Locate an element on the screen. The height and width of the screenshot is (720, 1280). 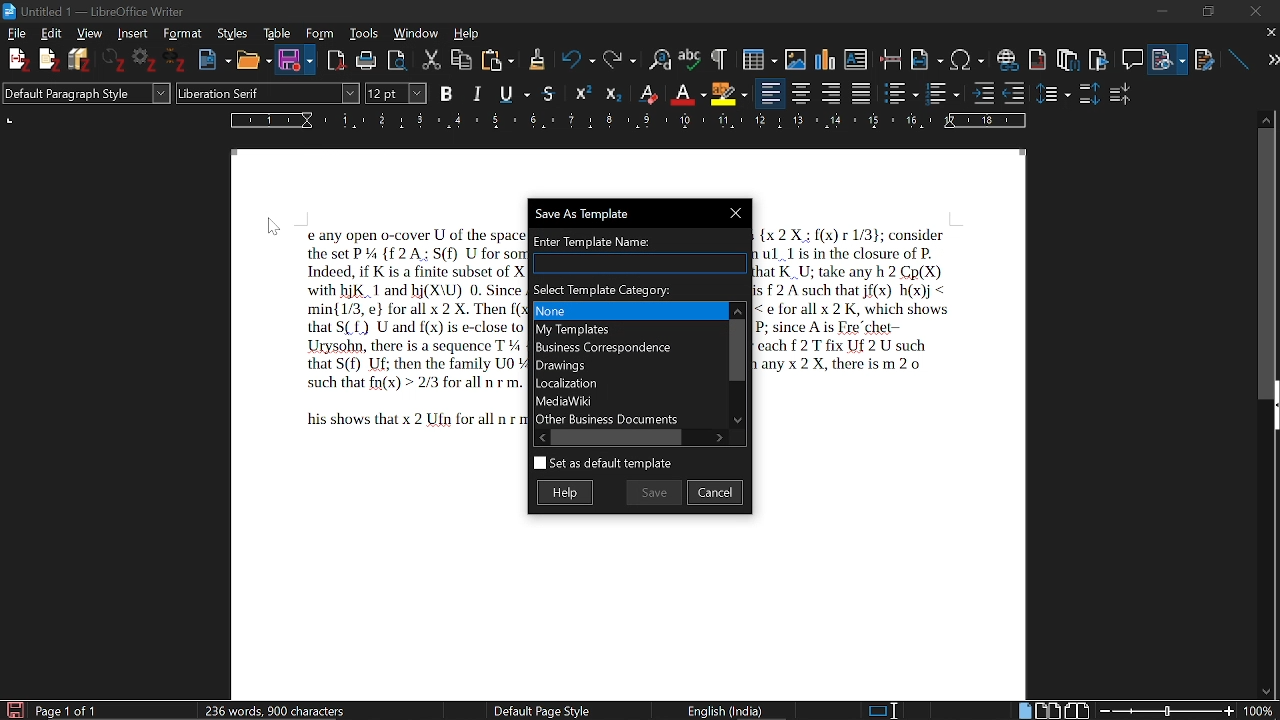
Insert table is located at coordinates (752, 57).